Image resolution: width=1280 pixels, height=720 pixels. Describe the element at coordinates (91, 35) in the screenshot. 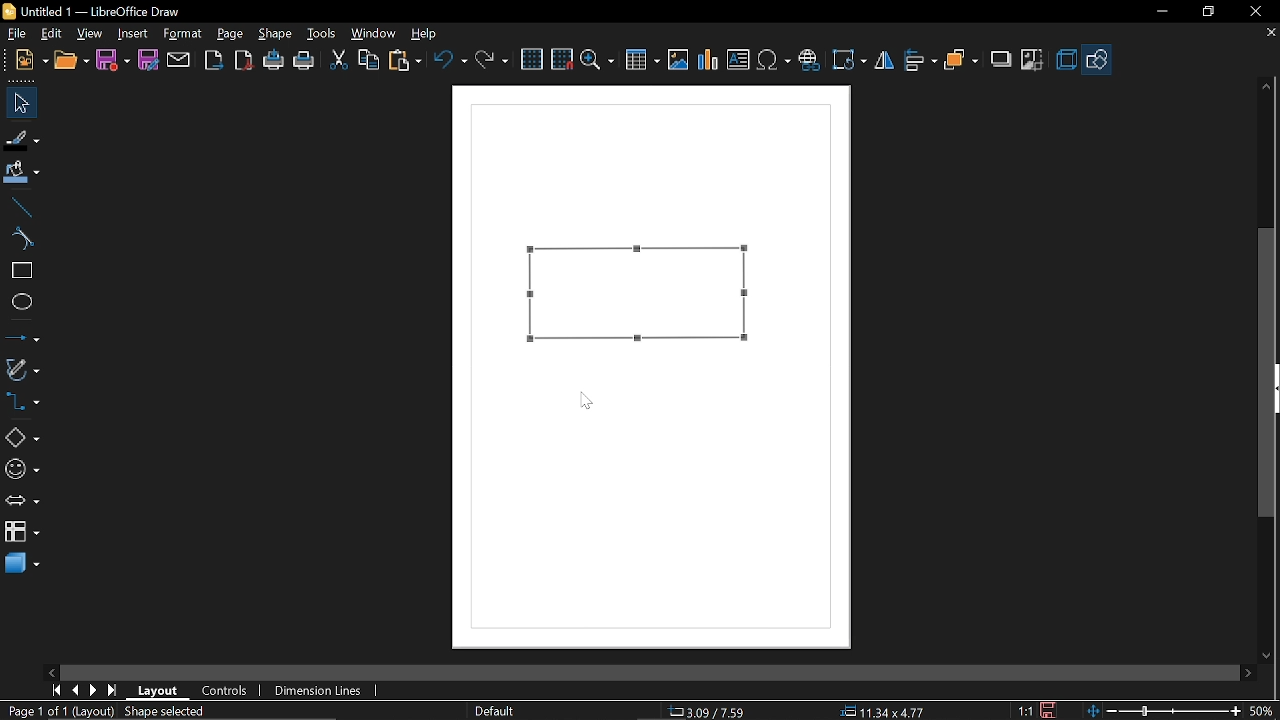

I see `view` at that location.